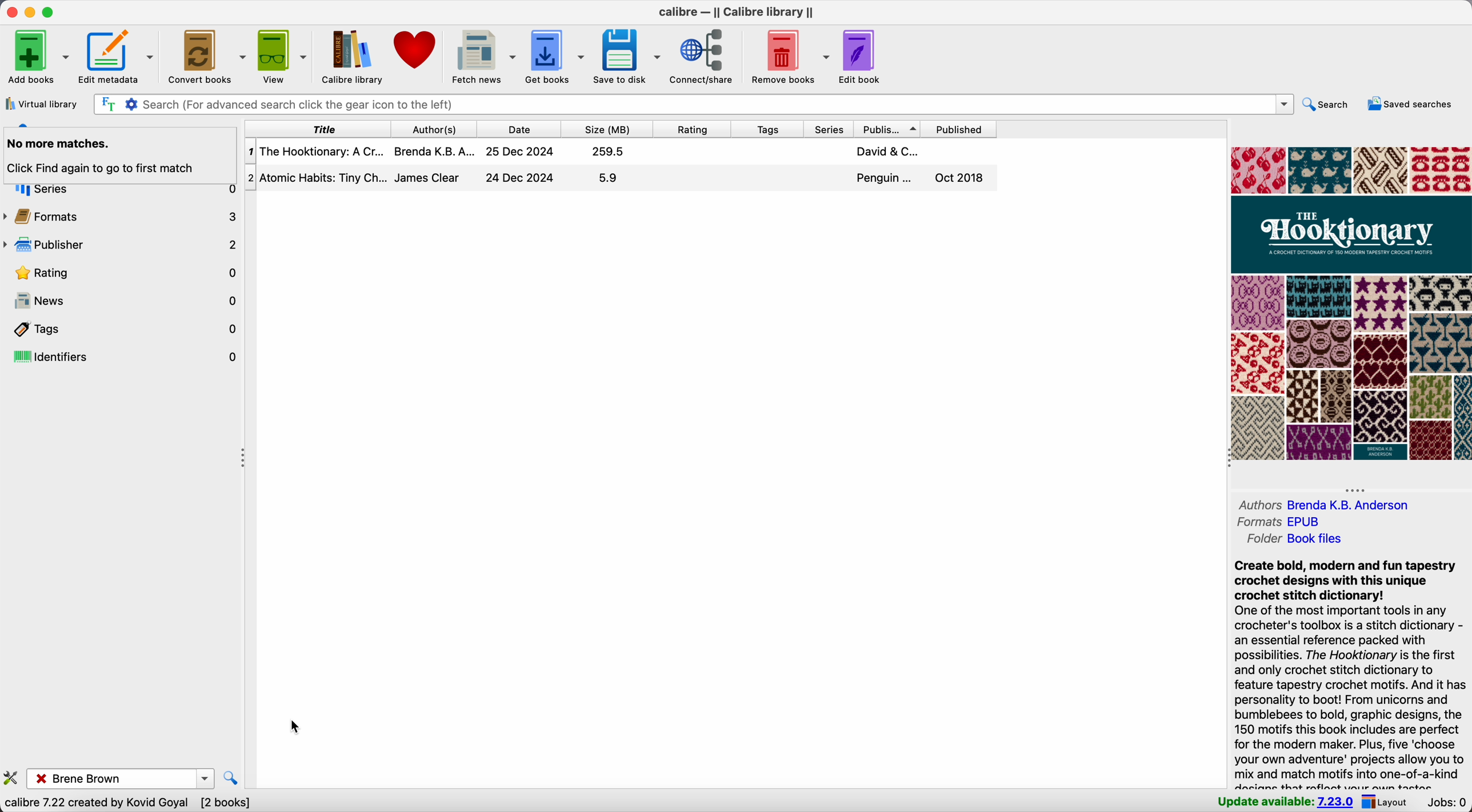  What do you see at coordinates (300, 728) in the screenshot?
I see `cursor` at bounding box center [300, 728].